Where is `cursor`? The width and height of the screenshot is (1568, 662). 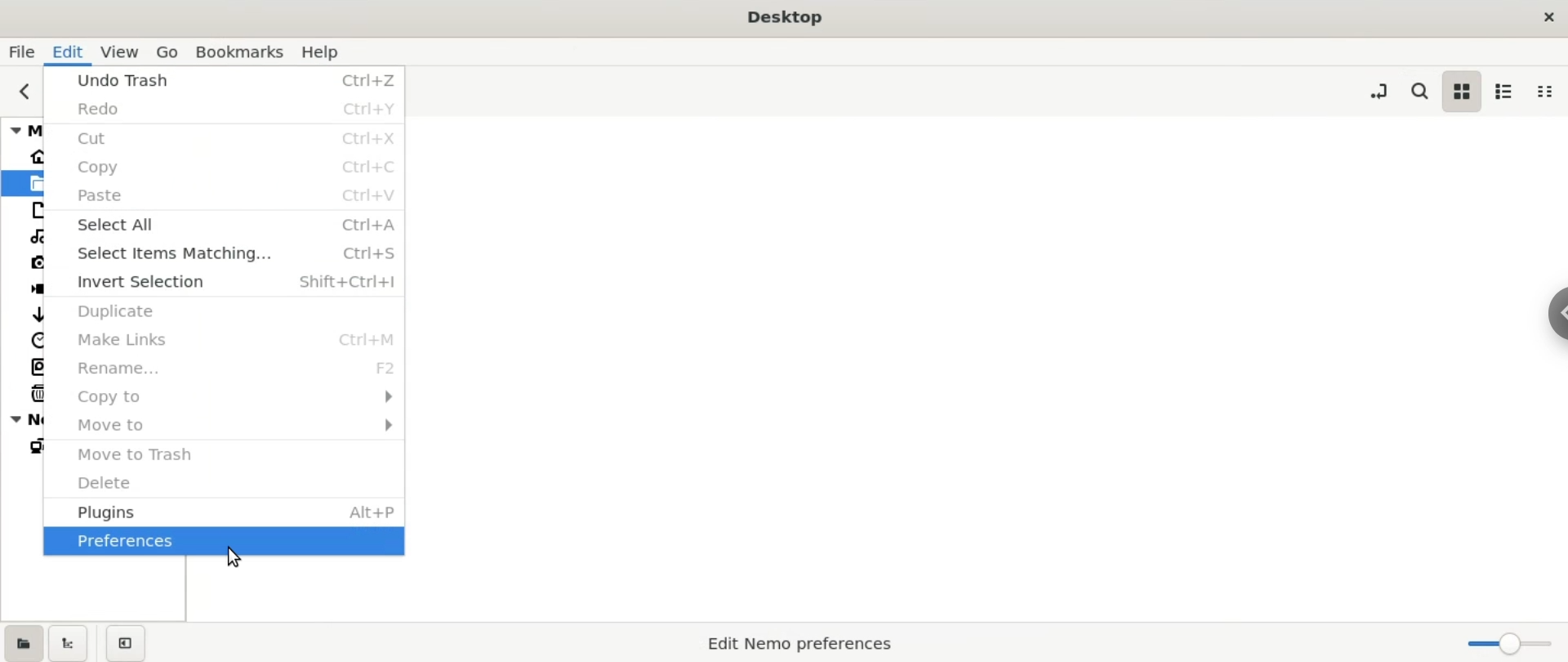
cursor is located at coordinates (238, 556).